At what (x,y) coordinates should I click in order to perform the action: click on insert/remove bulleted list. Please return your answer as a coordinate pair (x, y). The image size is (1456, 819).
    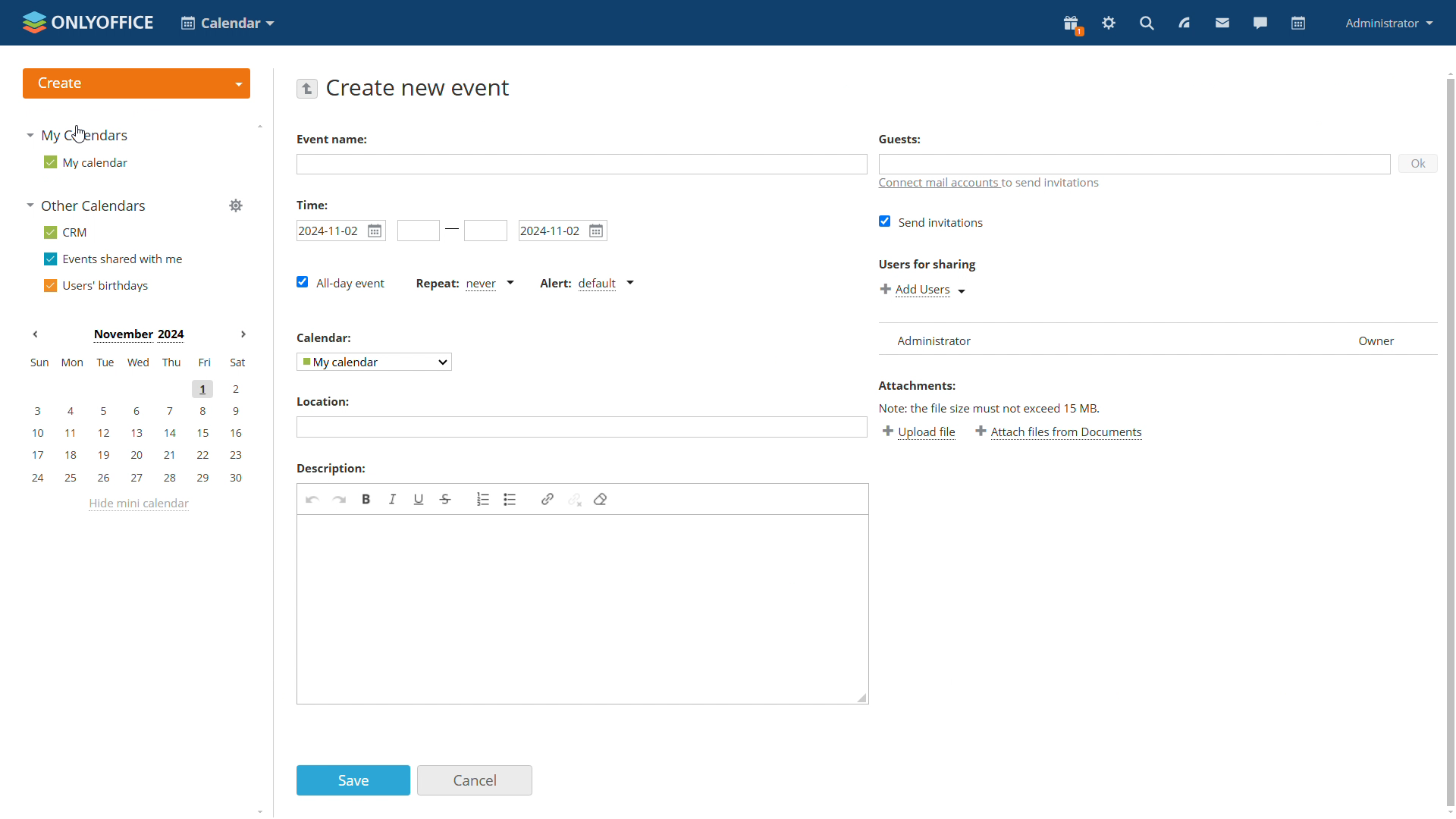
    Looking at the image, I should click on (510, 499).